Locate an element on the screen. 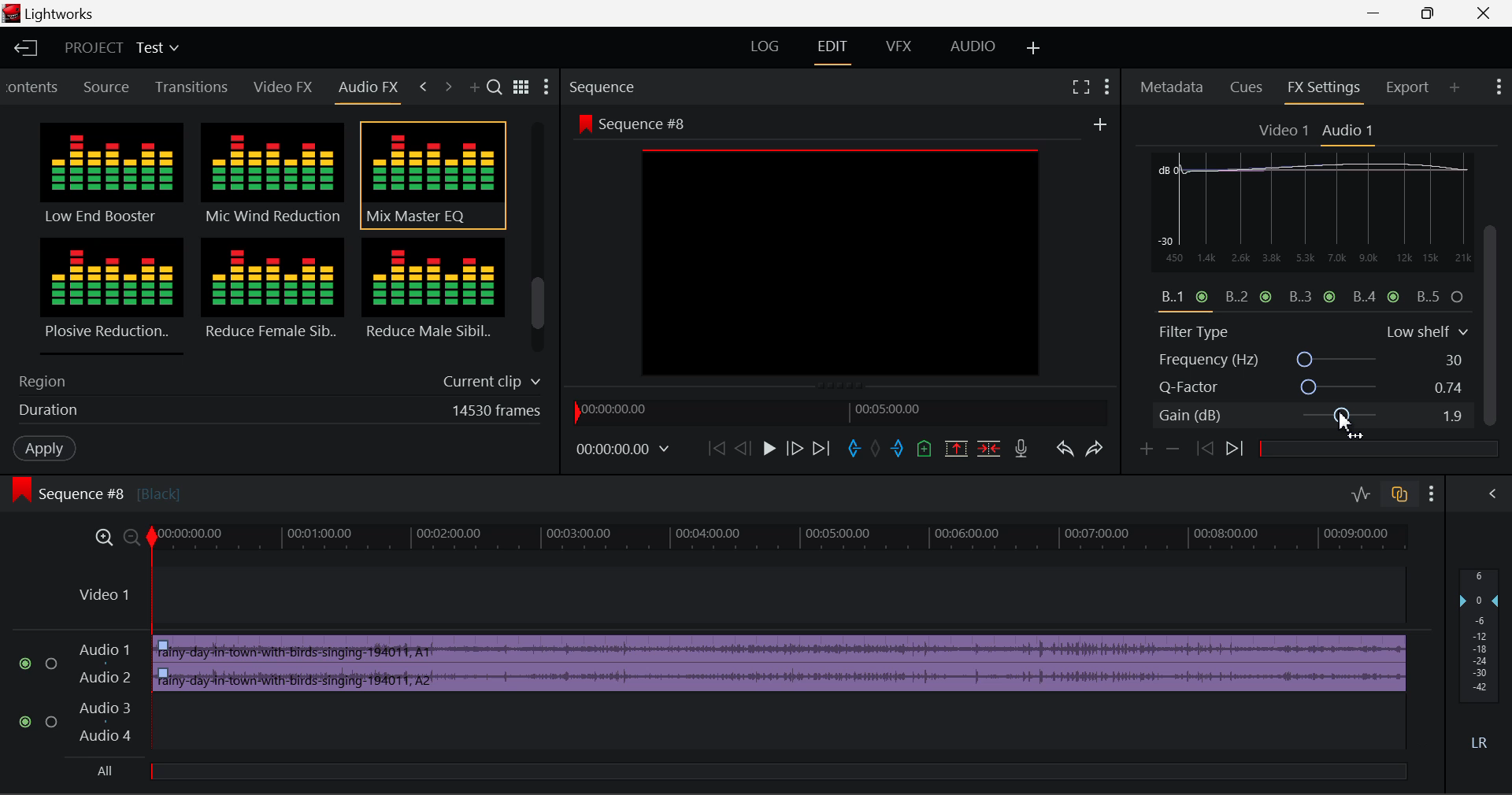  MOUSE_DOWN Cursor Position is located at coordinates (1496, 242).